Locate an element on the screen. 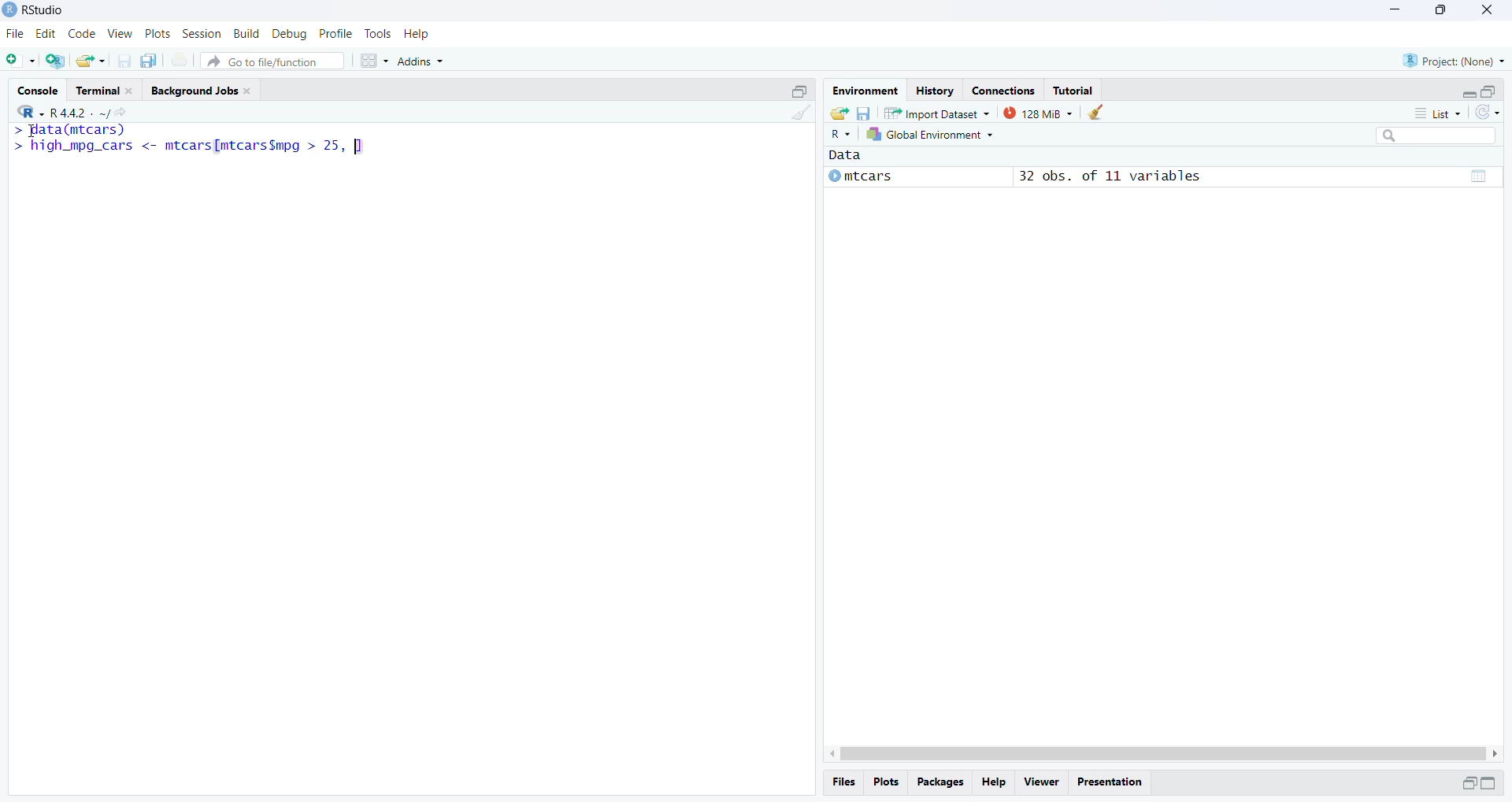 This screenshot has width=1512, height=802. Help is located at coordinates (416, 33).